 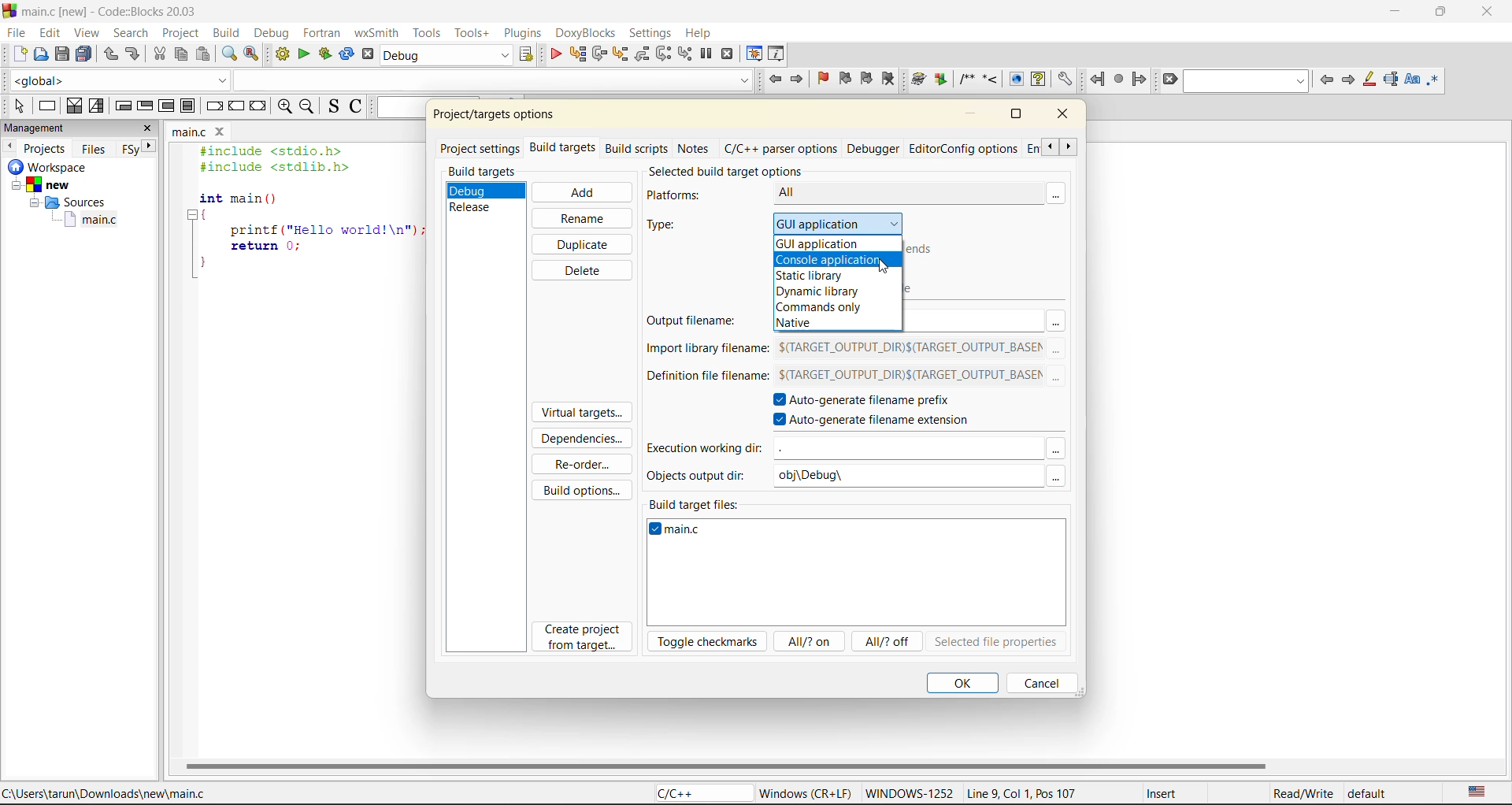 What do you see at coordinates (258, 107) in the screenshot?
I see `return instruction` at bounding box center [258, 107].